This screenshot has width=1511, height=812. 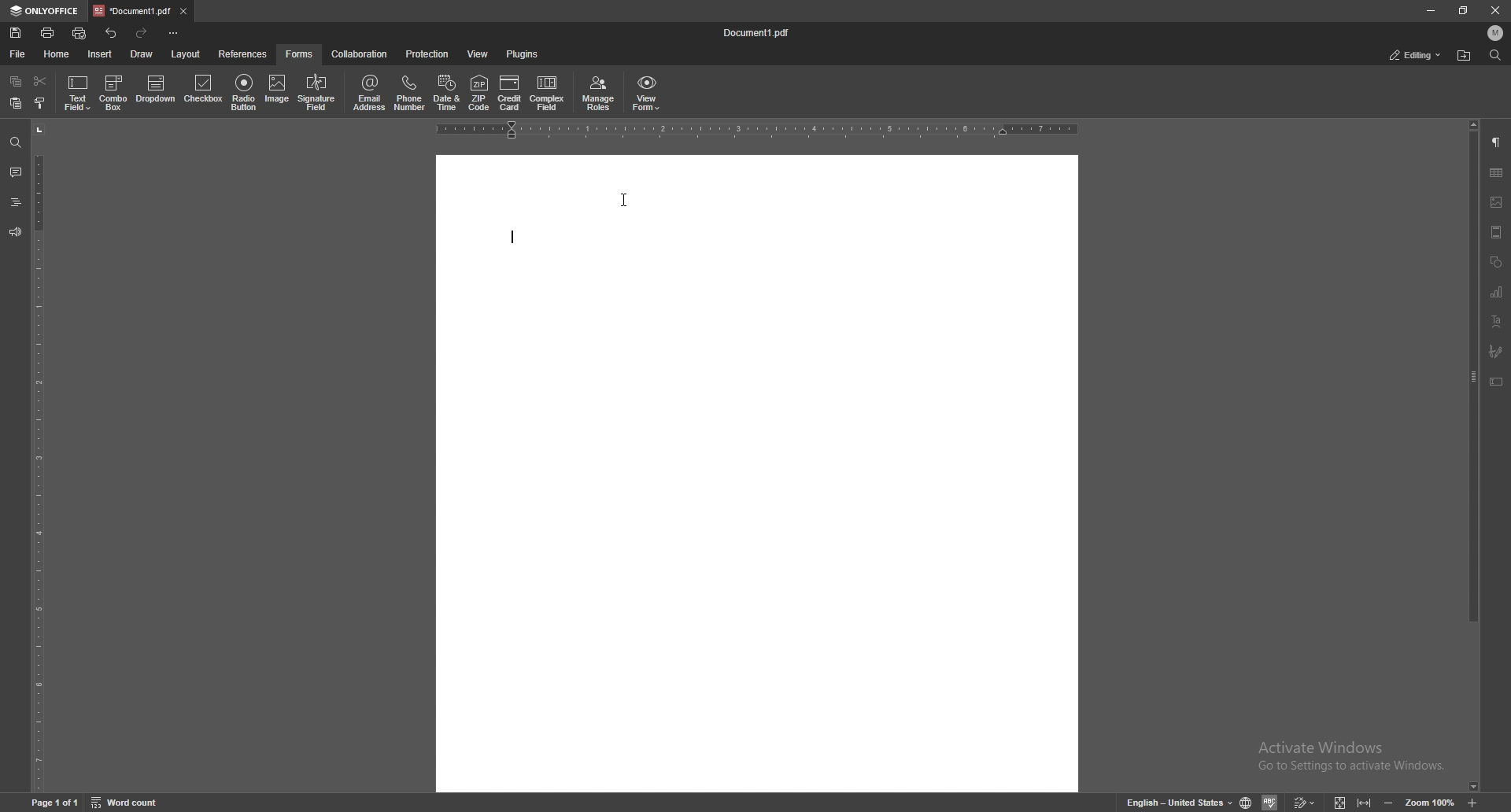 What do you see at coordinates (1473, 803) in the screenshot?
I see `zoom in` at bounding box center [1473, 803].